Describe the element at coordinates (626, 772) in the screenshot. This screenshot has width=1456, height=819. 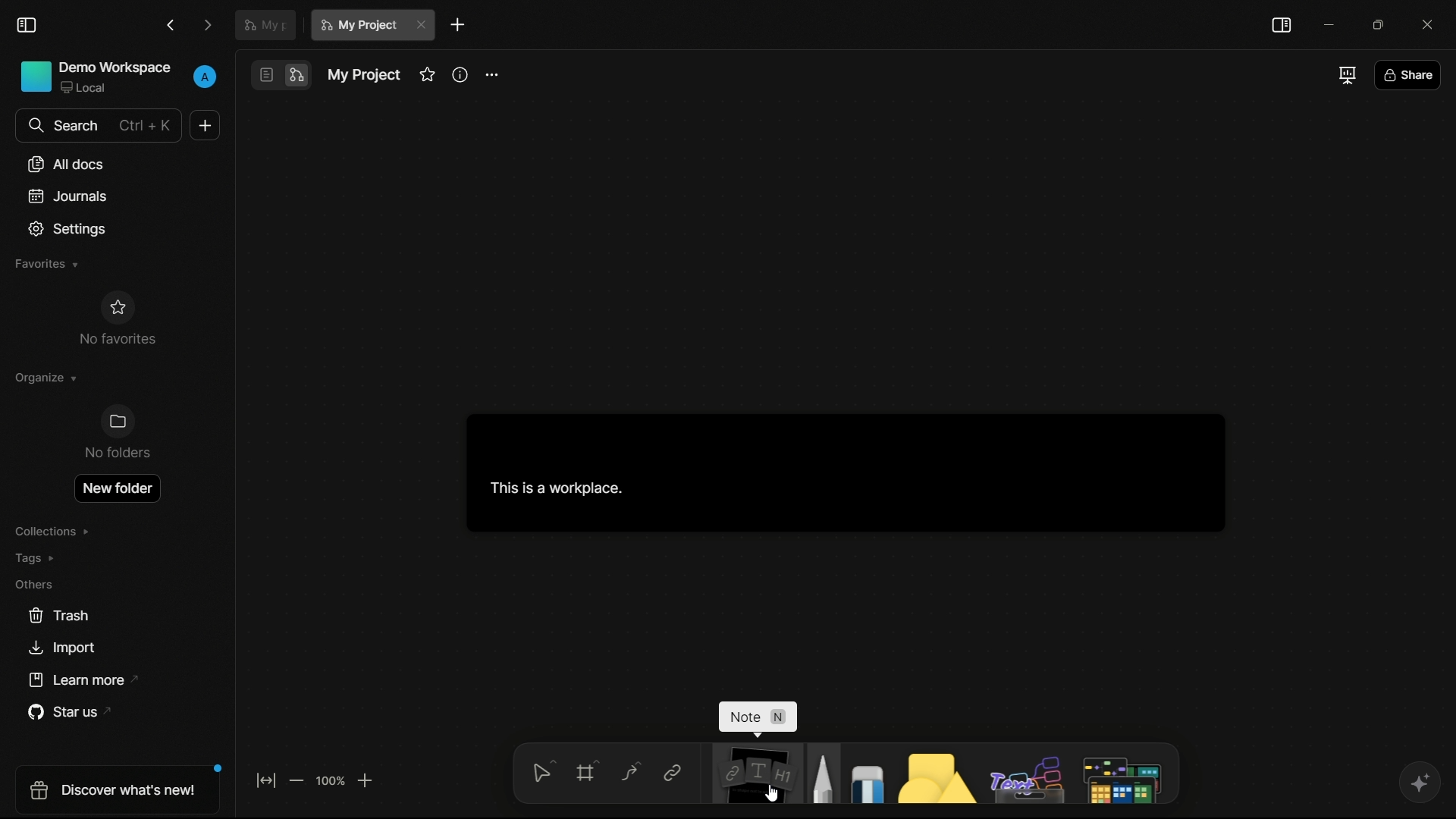
I see `connector` at that location.